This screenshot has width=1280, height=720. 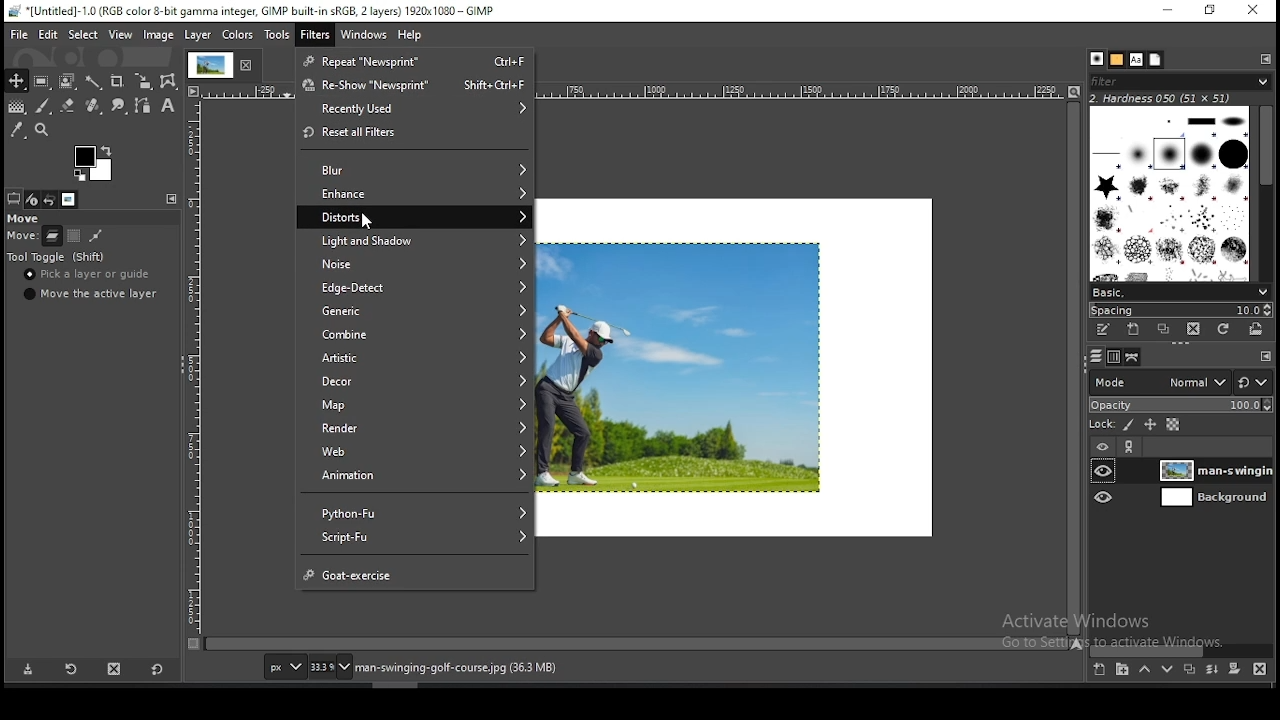 I want to click on tab, so click(x=225, y=66).